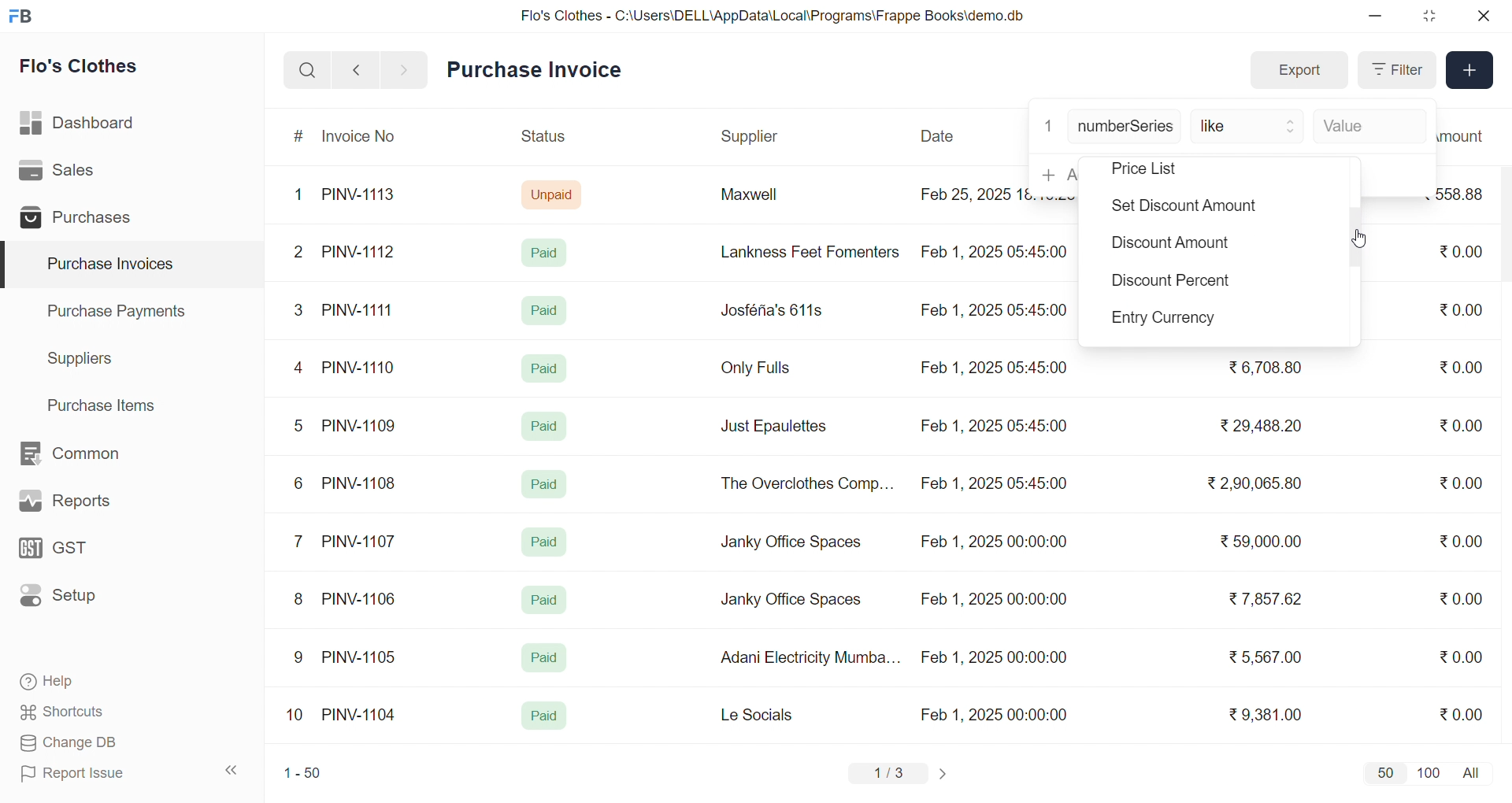 The height and width of the screenshot is (803, 1512). What do you see at coordinates (406, 68) in the screenshot?
I see `navigate forward` at bounding box center [406, 68].